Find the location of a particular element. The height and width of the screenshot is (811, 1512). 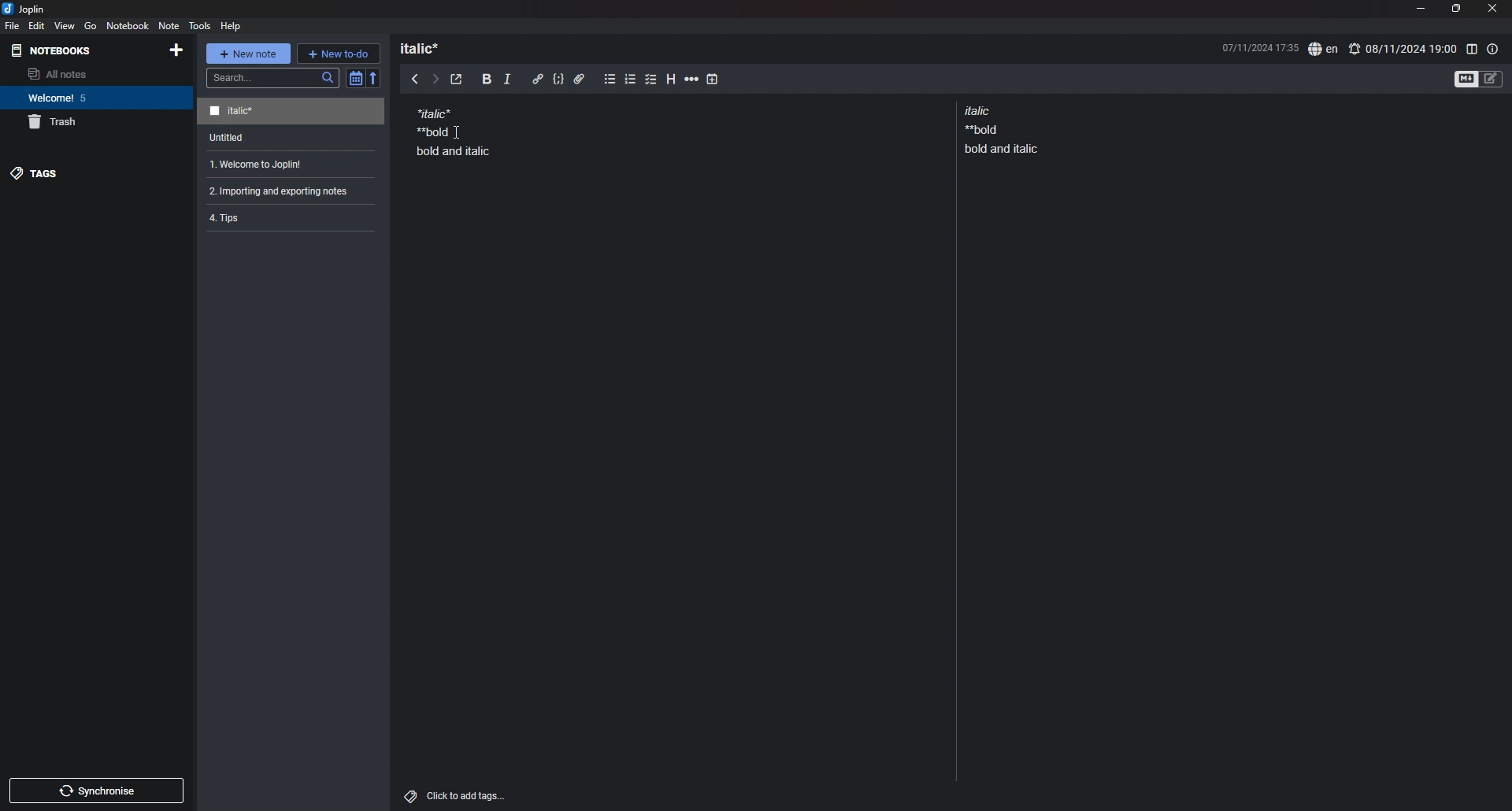

Cursor is located at coordinates (459, 133).